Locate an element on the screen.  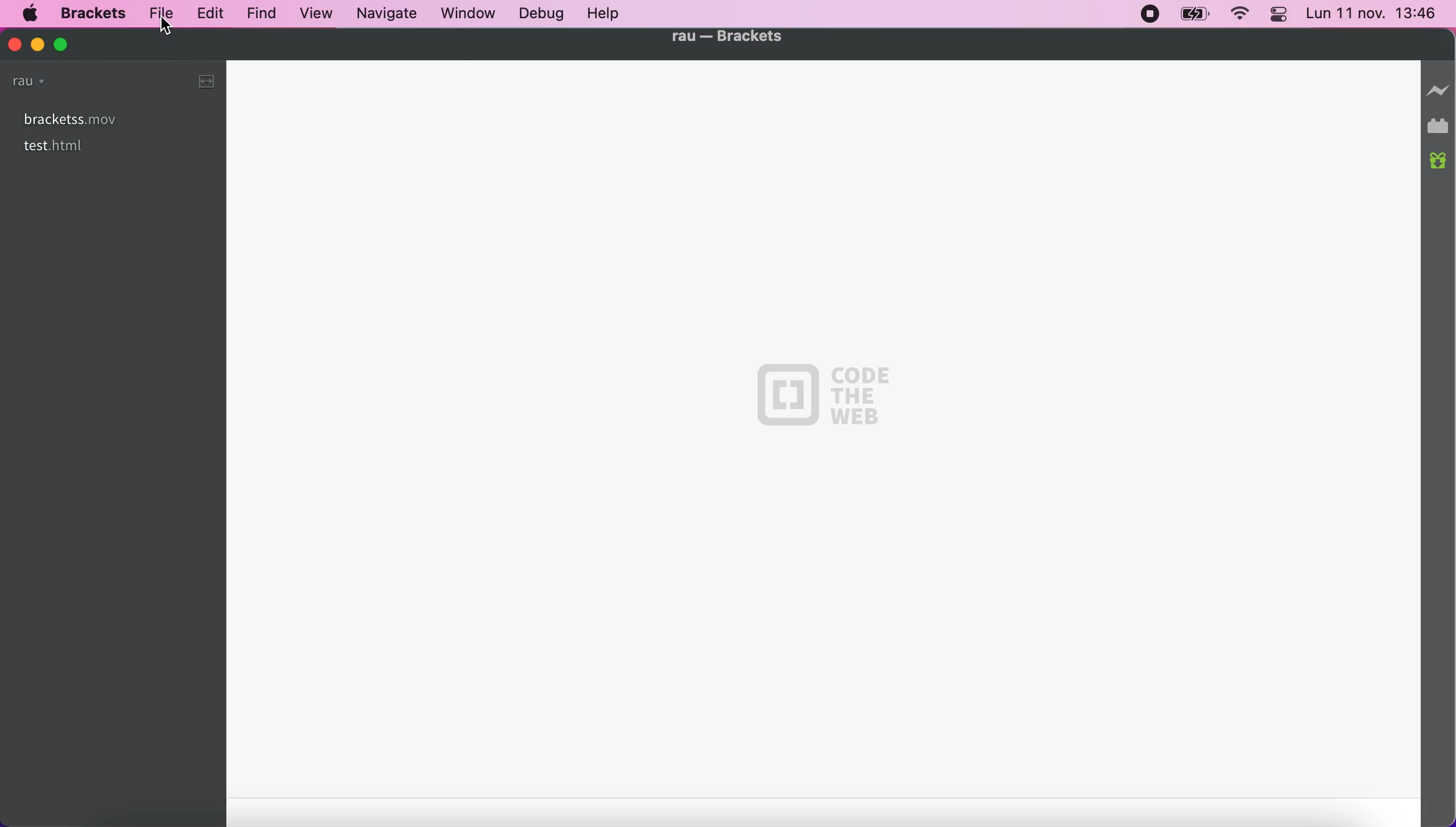
window is located at coordinates (471, 14).